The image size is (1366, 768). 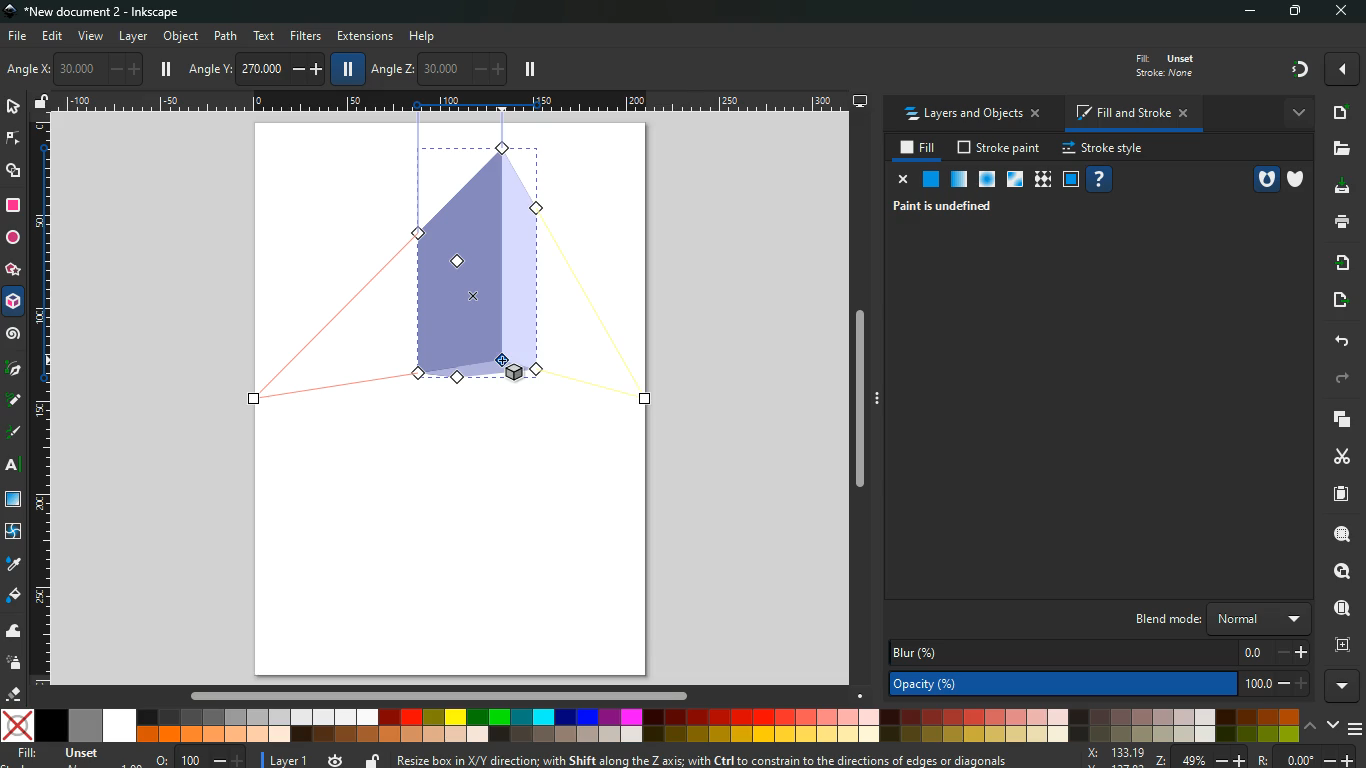 What do you see at coordinates (1340, 12) in the screenshot?
I see `close` at bounding box center [1340, 12].